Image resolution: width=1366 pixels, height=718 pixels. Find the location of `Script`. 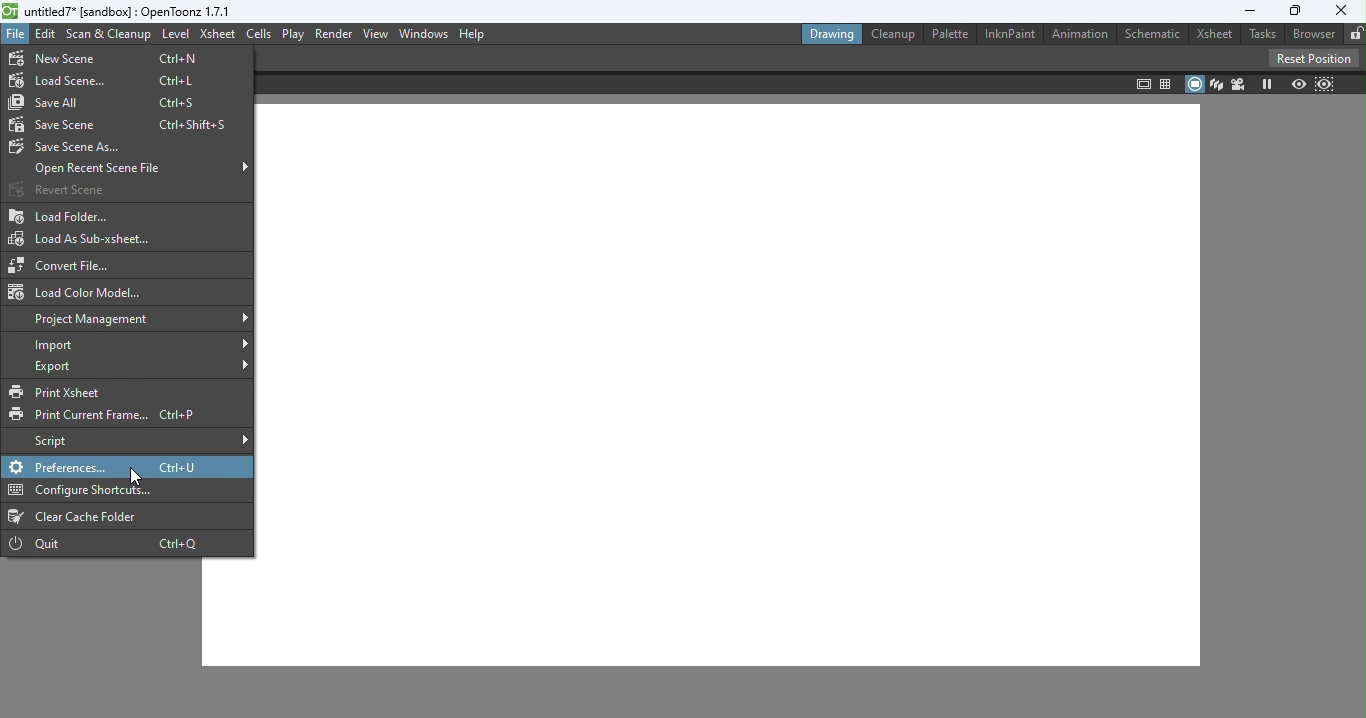

Script is located at coordinates (141, 441).